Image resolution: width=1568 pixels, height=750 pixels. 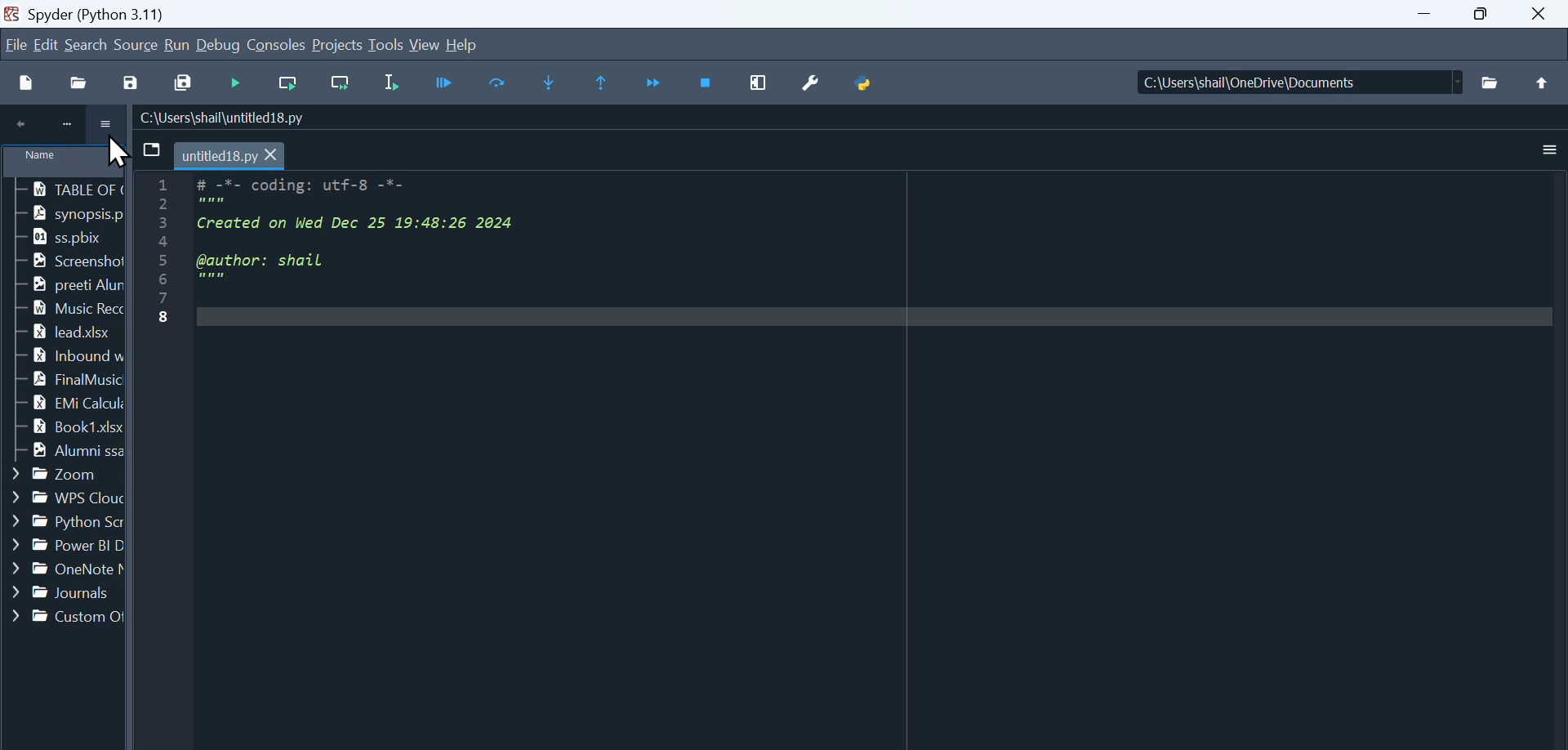 I want to click on Custom Of, so click(x=65, y=617).